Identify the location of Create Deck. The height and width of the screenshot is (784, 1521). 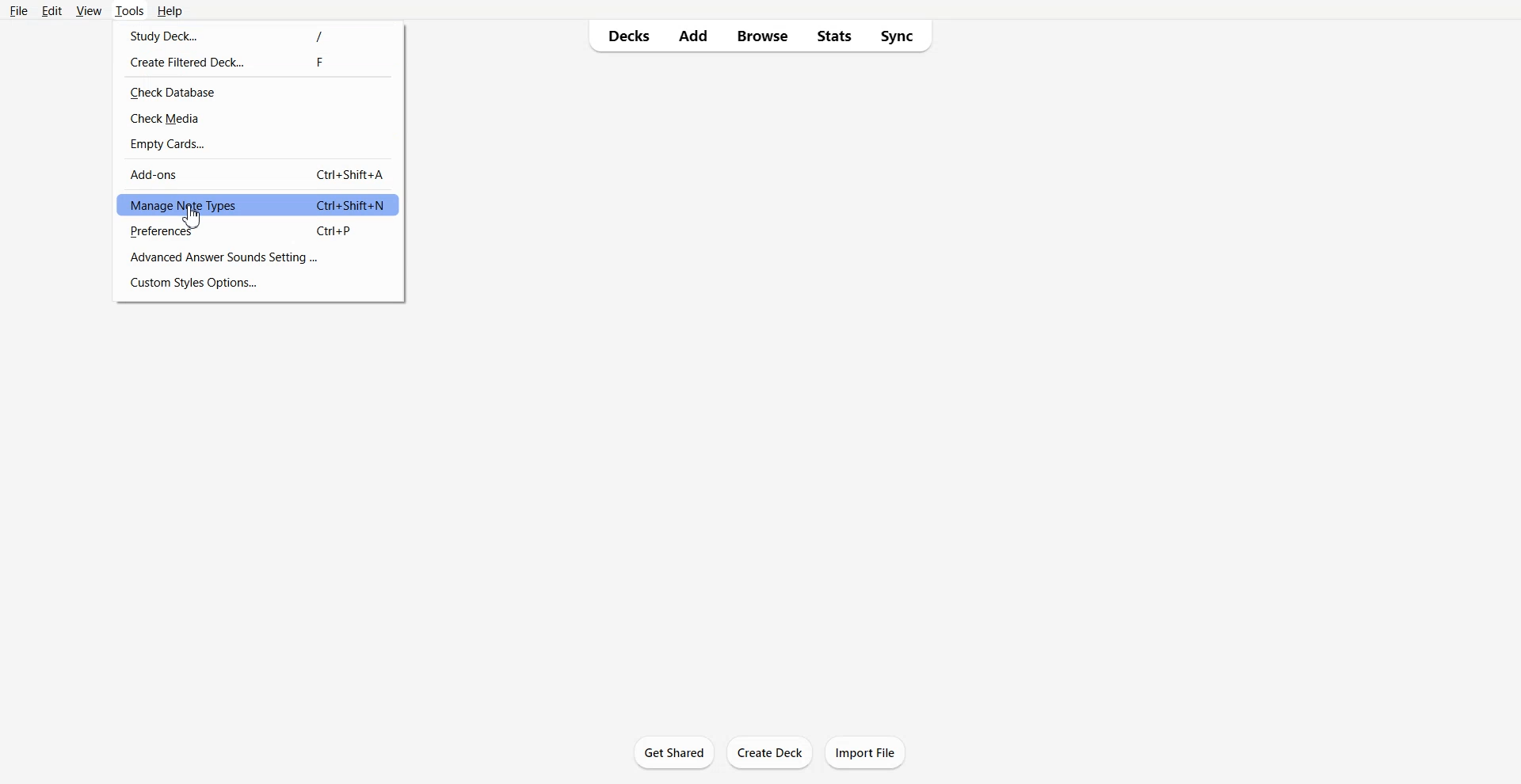
(770, 752).